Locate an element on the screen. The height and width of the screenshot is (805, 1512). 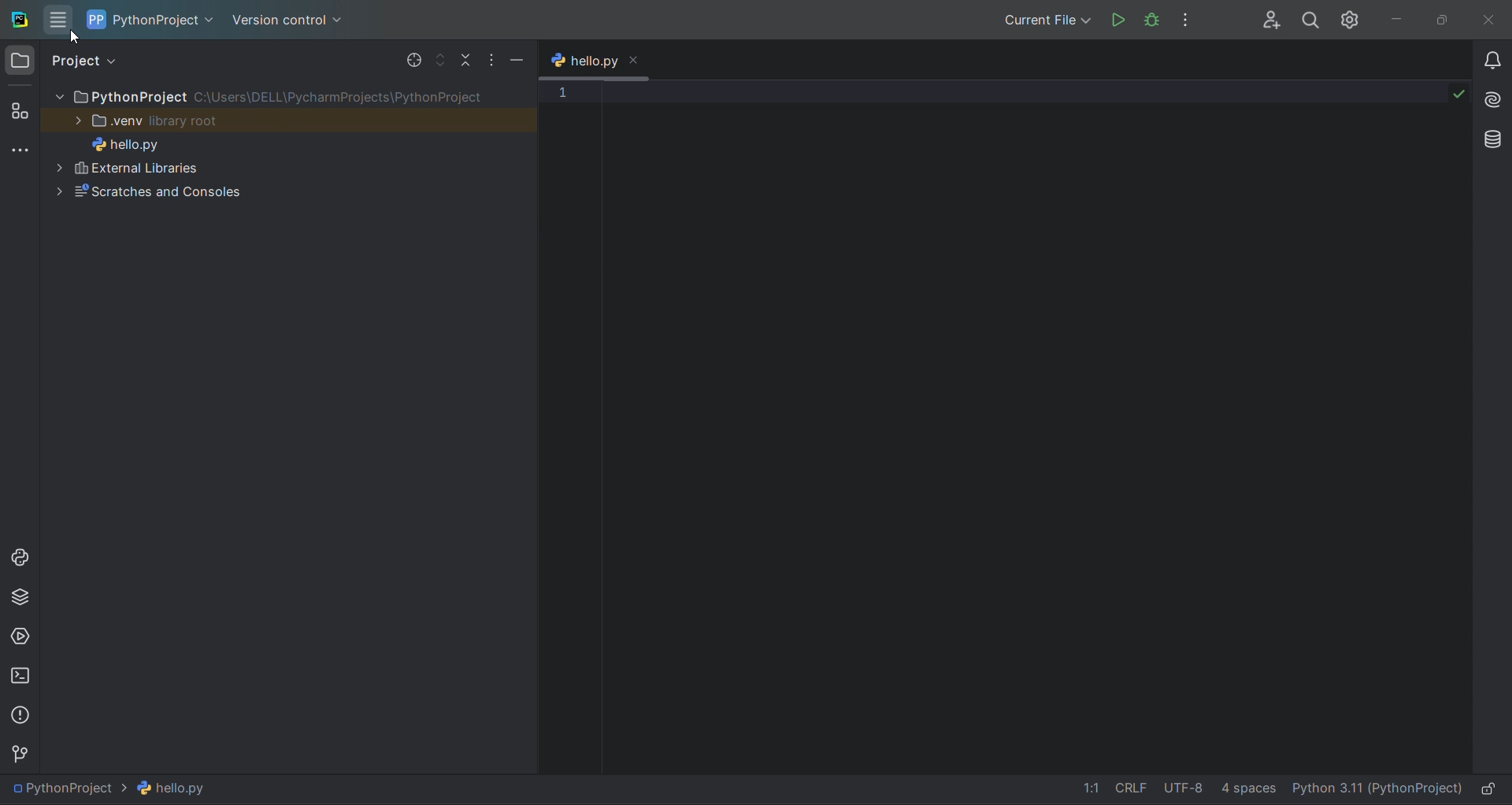
project view is located at coordinates (99, 61).